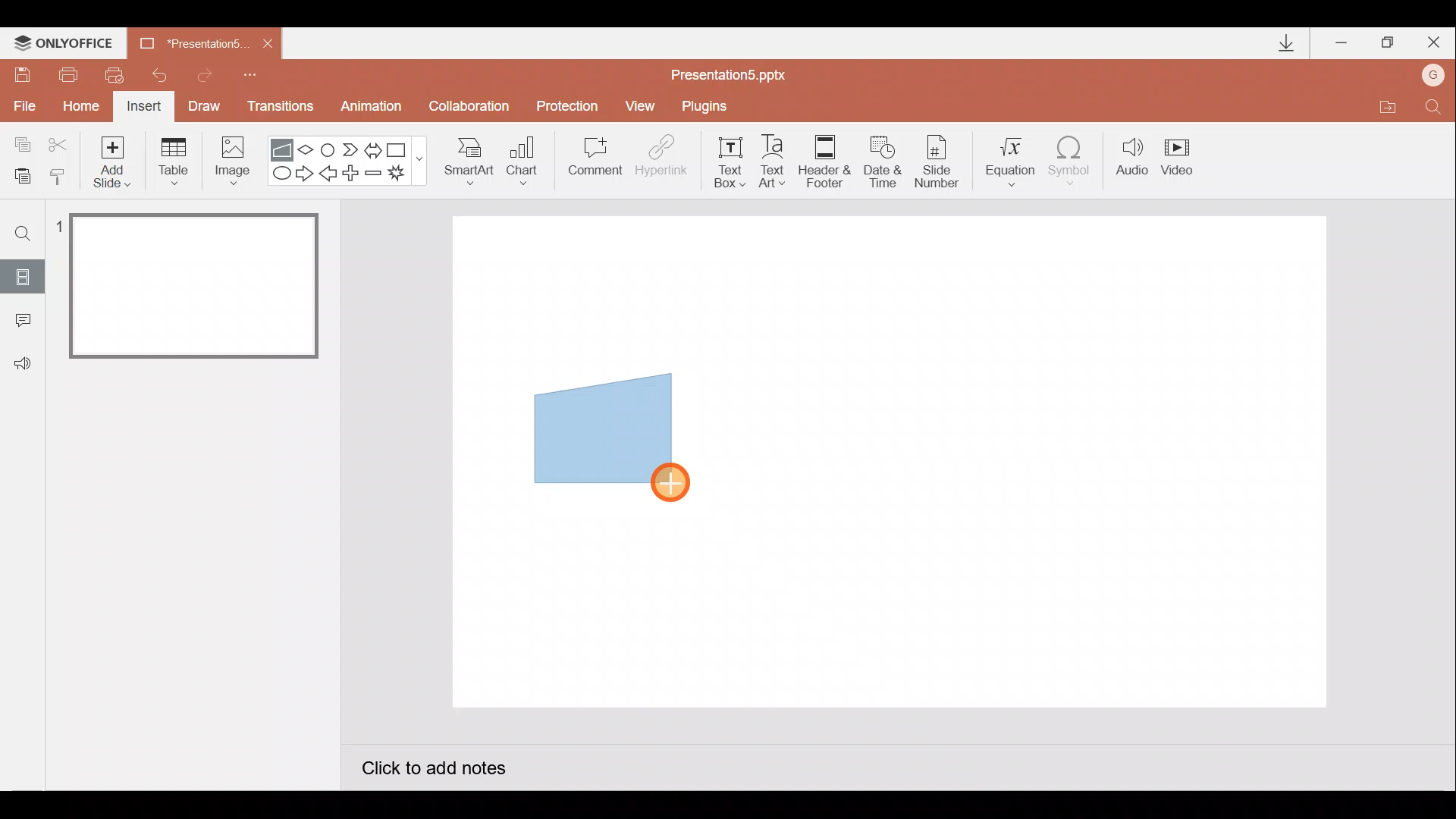 Image resolution: width=1456 pixels, height=819 pixels. Describe the element at coordinates (162, 75) in the screenshot. I see `Undo` at that location.